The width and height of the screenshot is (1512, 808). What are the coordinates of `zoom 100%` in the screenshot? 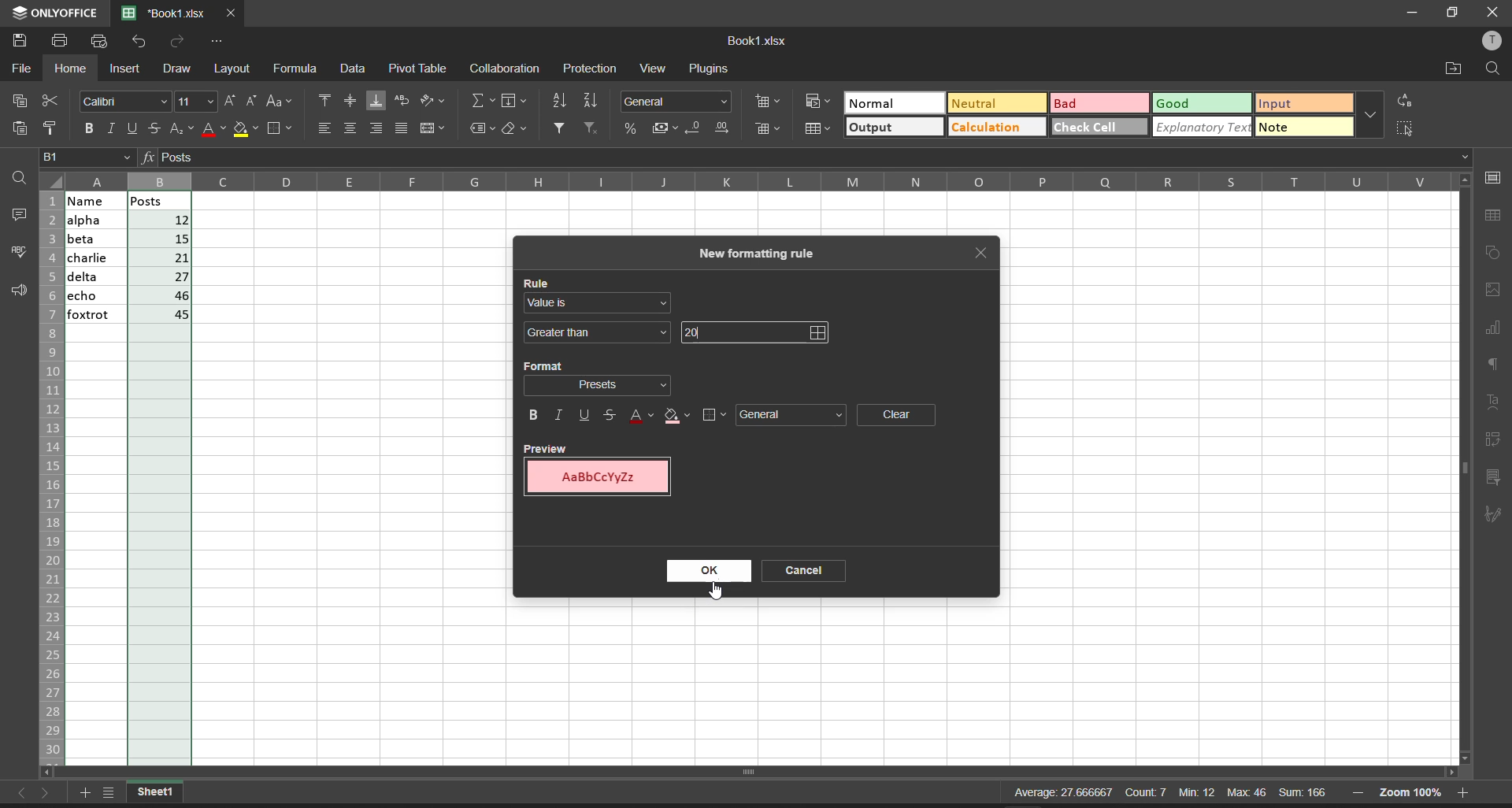 It's located at (1417, 792).